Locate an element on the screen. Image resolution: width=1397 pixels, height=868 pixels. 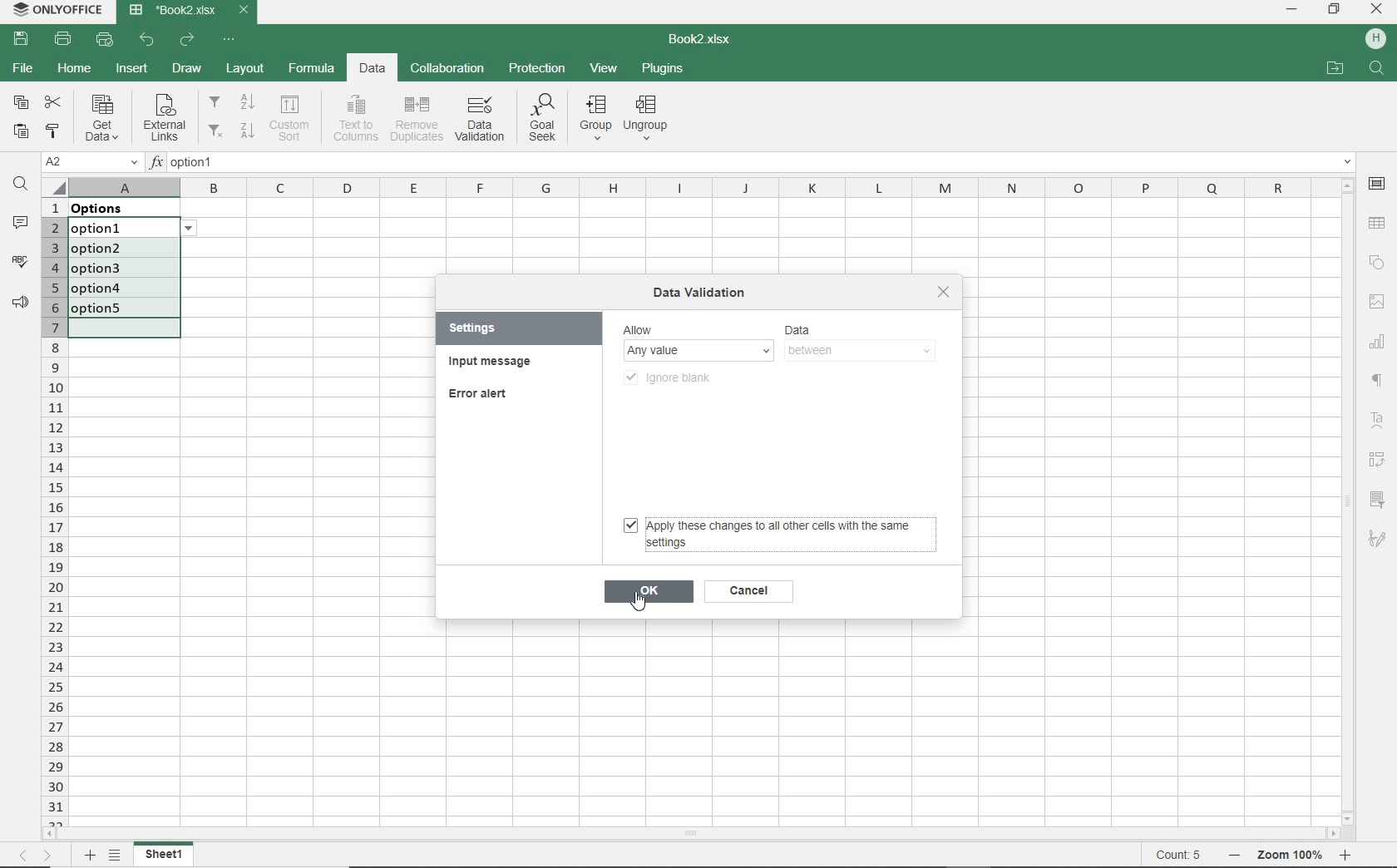
NONPRINTING CHARACTERS is located at coordinates (1380, 382).